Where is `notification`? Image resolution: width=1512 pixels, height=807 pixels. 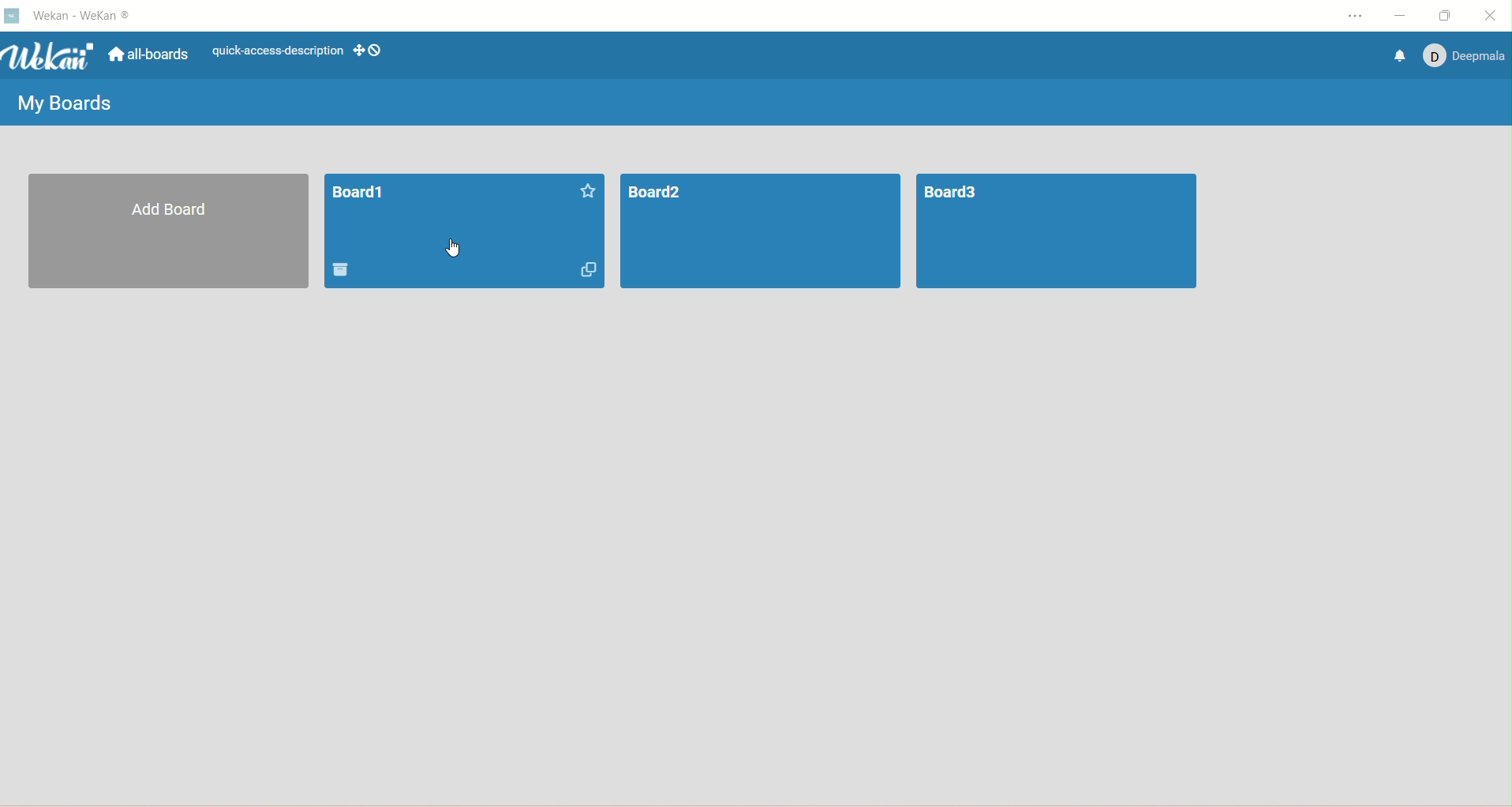 notification is located at coordinates (1398, 55).